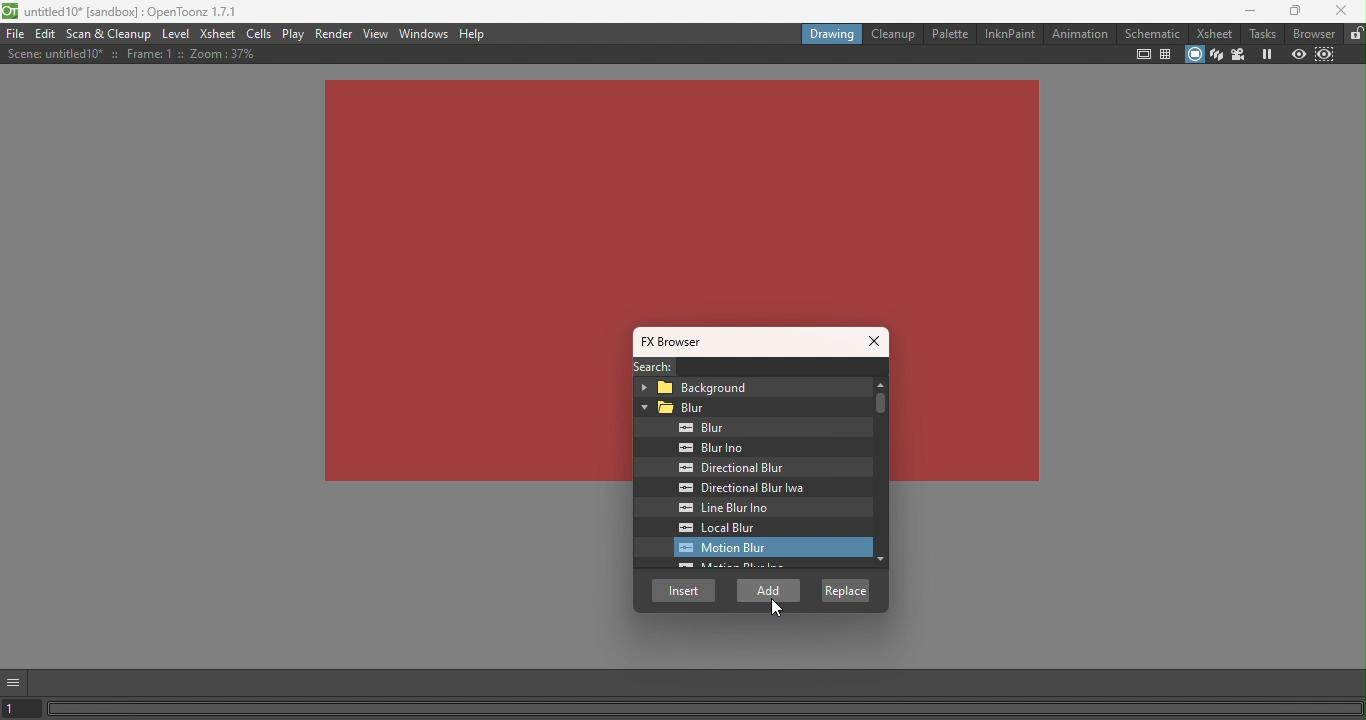 Image resolution: width=1366 pixels, height=720 pixels. What do you see at coordinates (776, 609) in the screenshot?
I see `cursor` at bounding box center [776, 609].